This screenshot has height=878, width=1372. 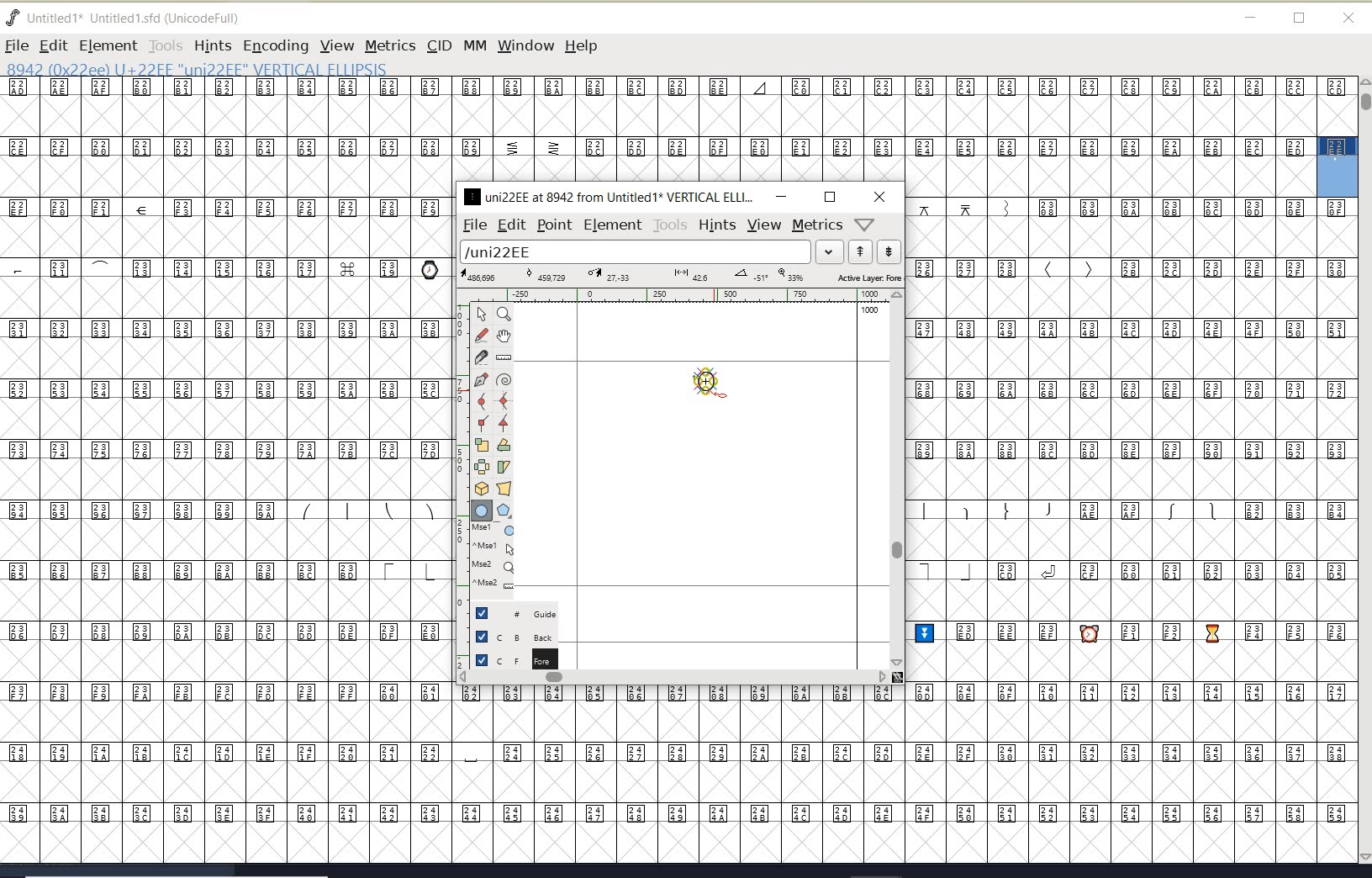 What do you see at coordinates (830, 197) in the screenshot?
I see `restore` at bounding box center [830, 197].